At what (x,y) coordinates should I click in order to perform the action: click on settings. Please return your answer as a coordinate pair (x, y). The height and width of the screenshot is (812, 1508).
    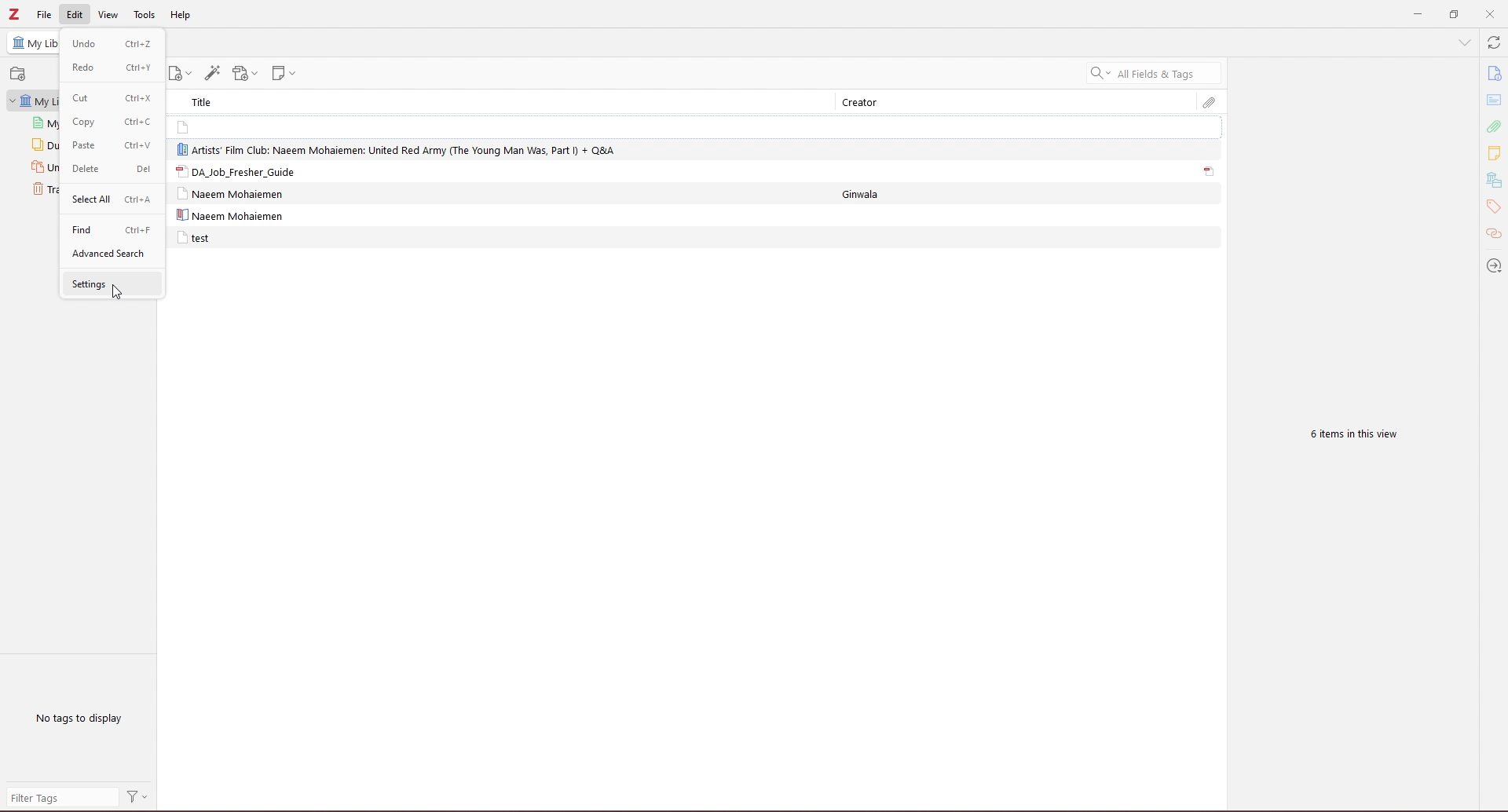
    Looking at the image, I should click on (111, 283).